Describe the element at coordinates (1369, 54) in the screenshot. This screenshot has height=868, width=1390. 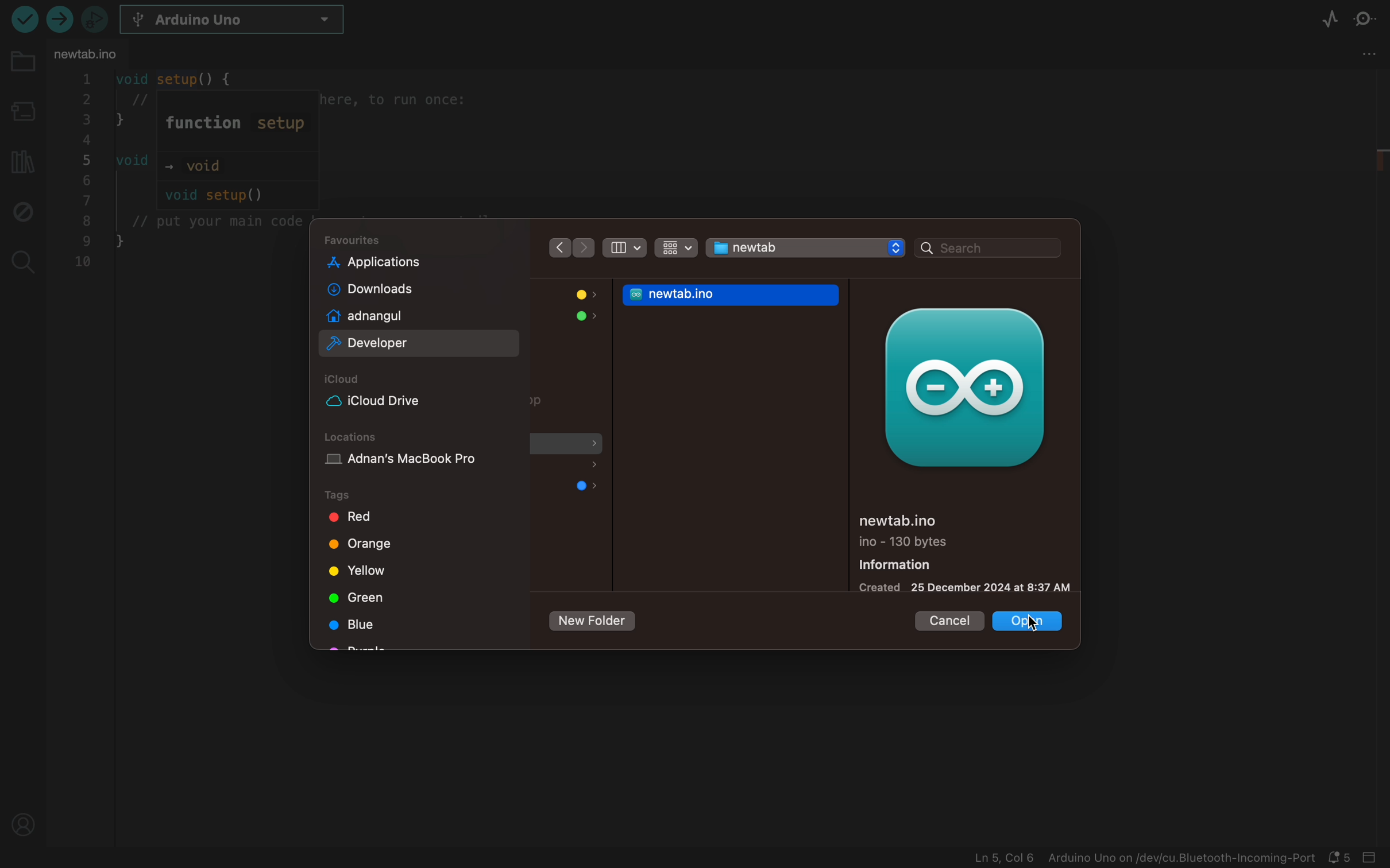
I see `setting` at that location.